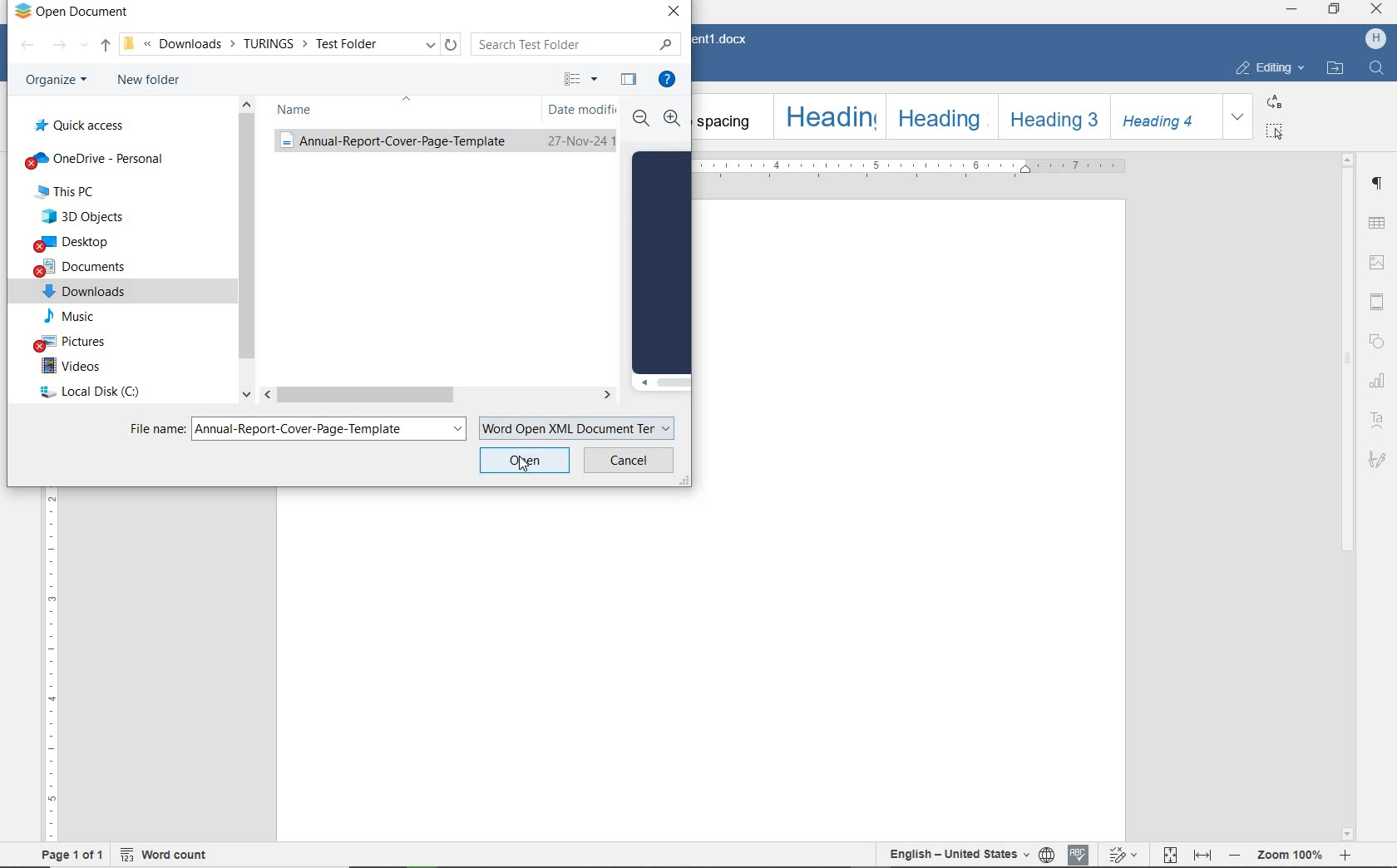 This screenshot has width=1397, height=868. What do you see at coordinates (28, 46) in the screenshot?
I see `back` at bounding box center [28, 46].